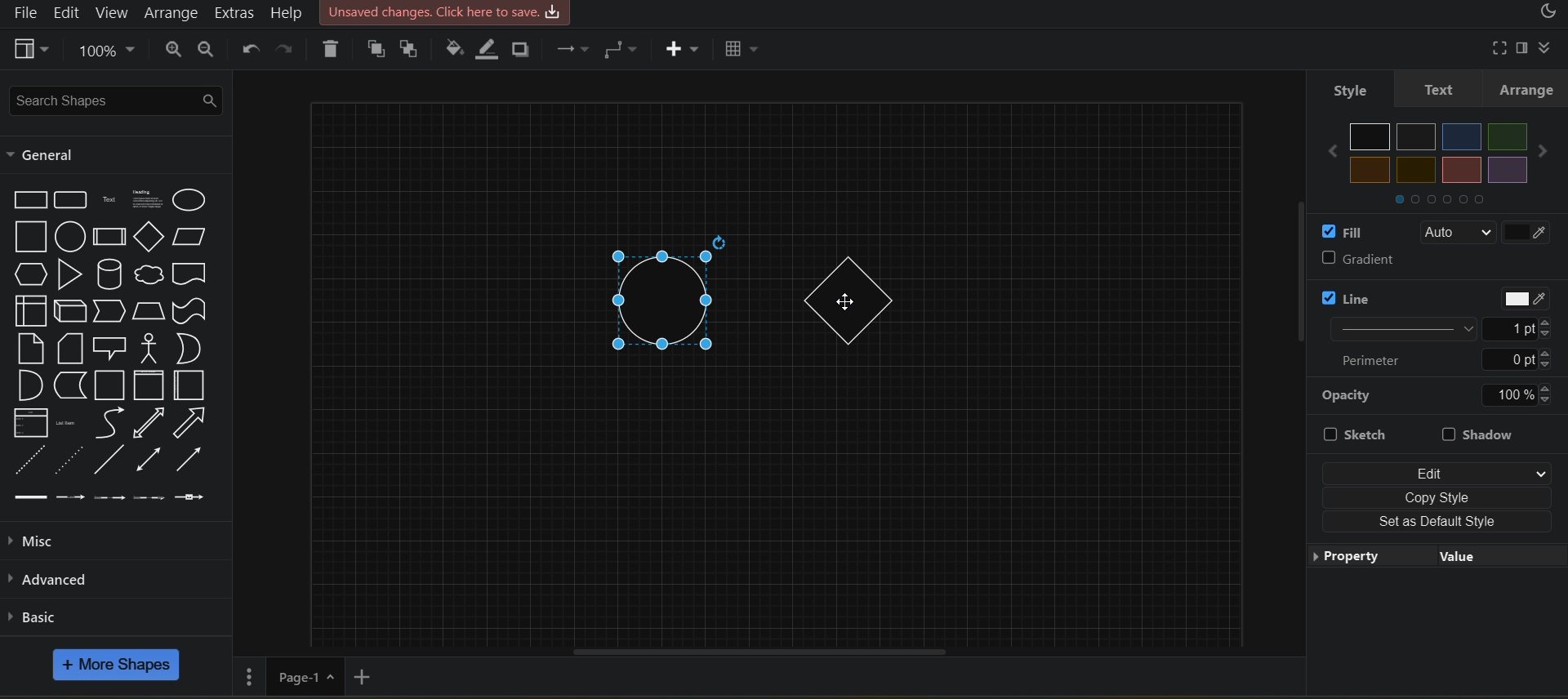  I want to click on gradient, so click(1432, 263).